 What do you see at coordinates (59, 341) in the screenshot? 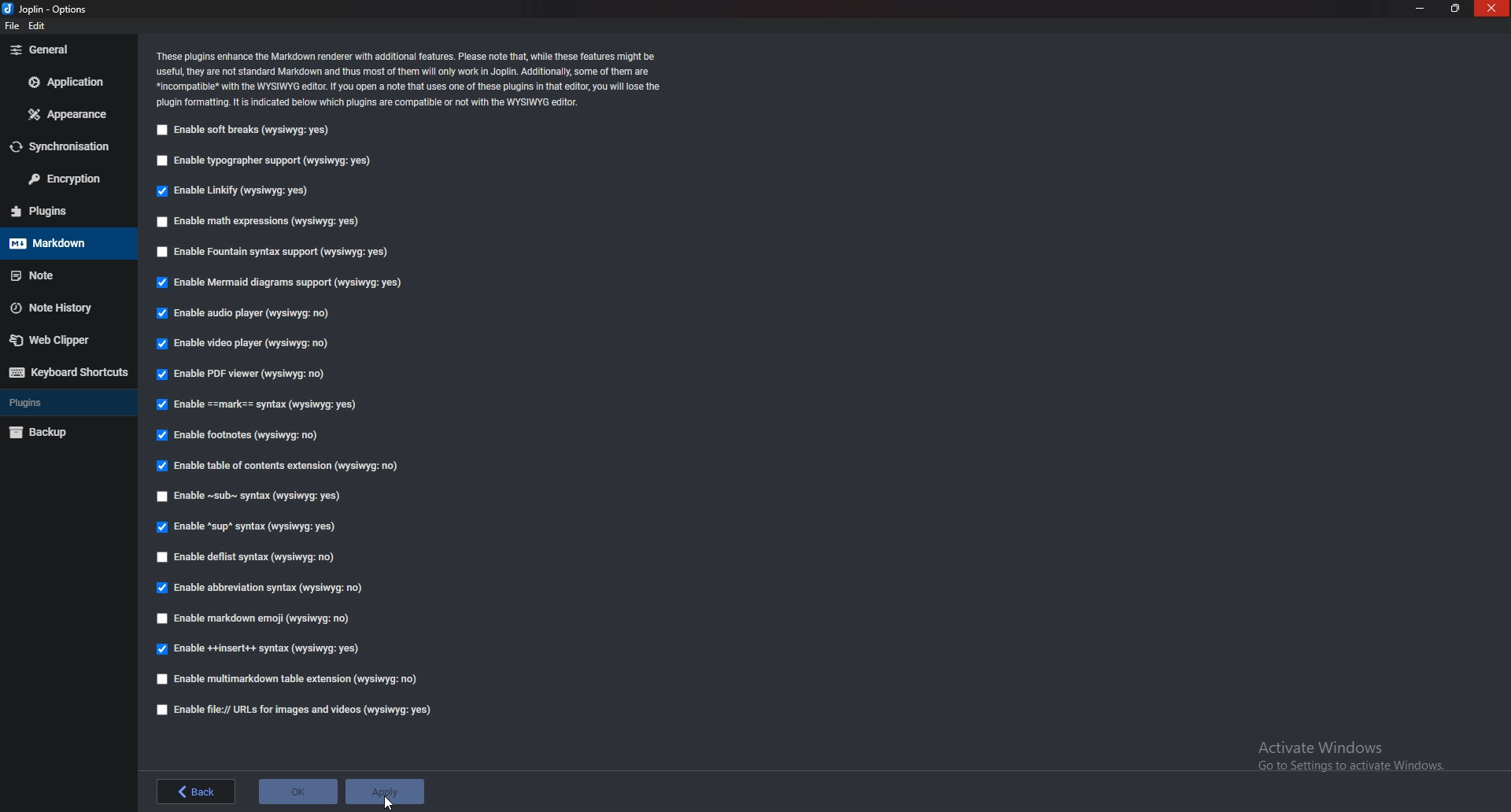
I see `Web clipper` at bounding box center [59, 341].